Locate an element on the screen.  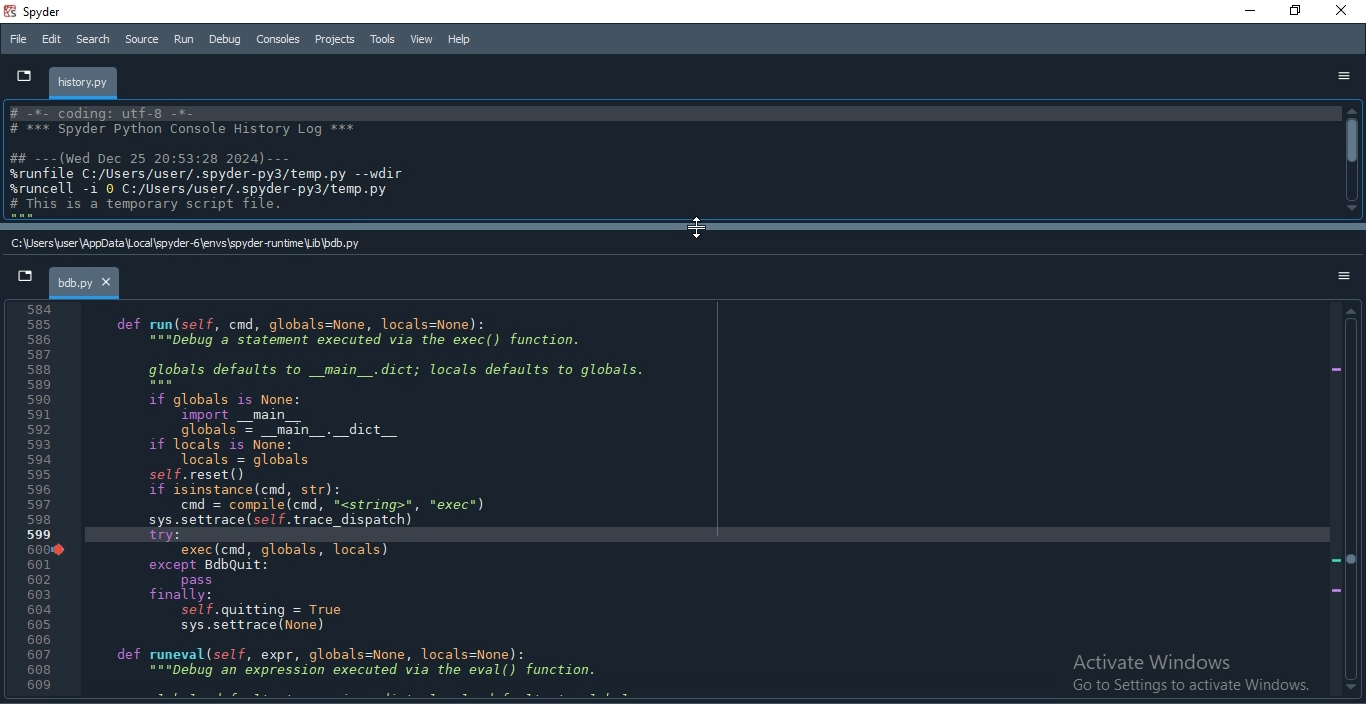
Adjusted window is located at coordinates (671, 160).